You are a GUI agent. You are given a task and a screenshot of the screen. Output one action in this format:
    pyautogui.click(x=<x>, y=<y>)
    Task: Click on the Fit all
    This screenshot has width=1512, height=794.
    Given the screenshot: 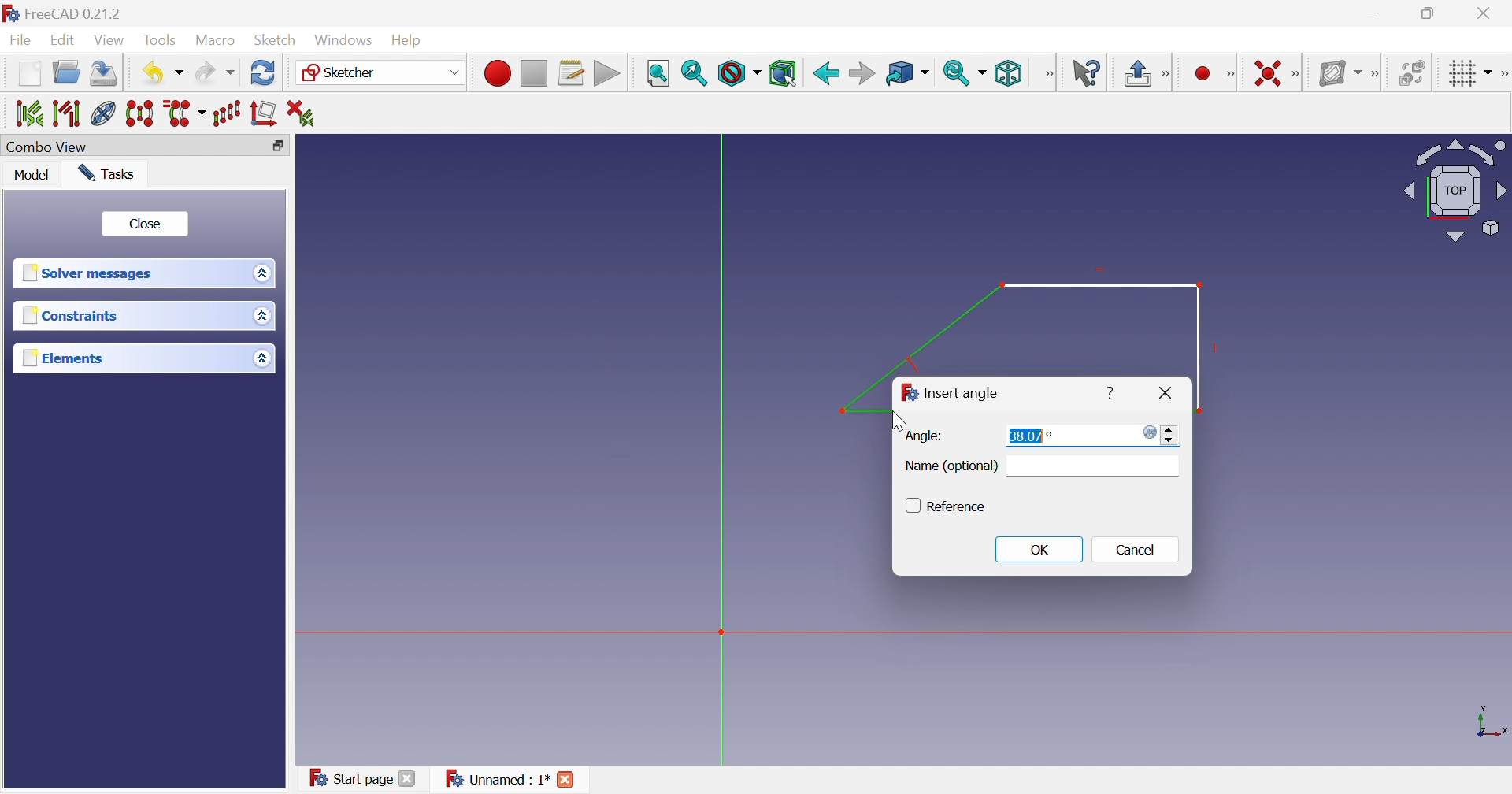 What is the action you would take?
    pyautogui.click(x=658, y=72)
    